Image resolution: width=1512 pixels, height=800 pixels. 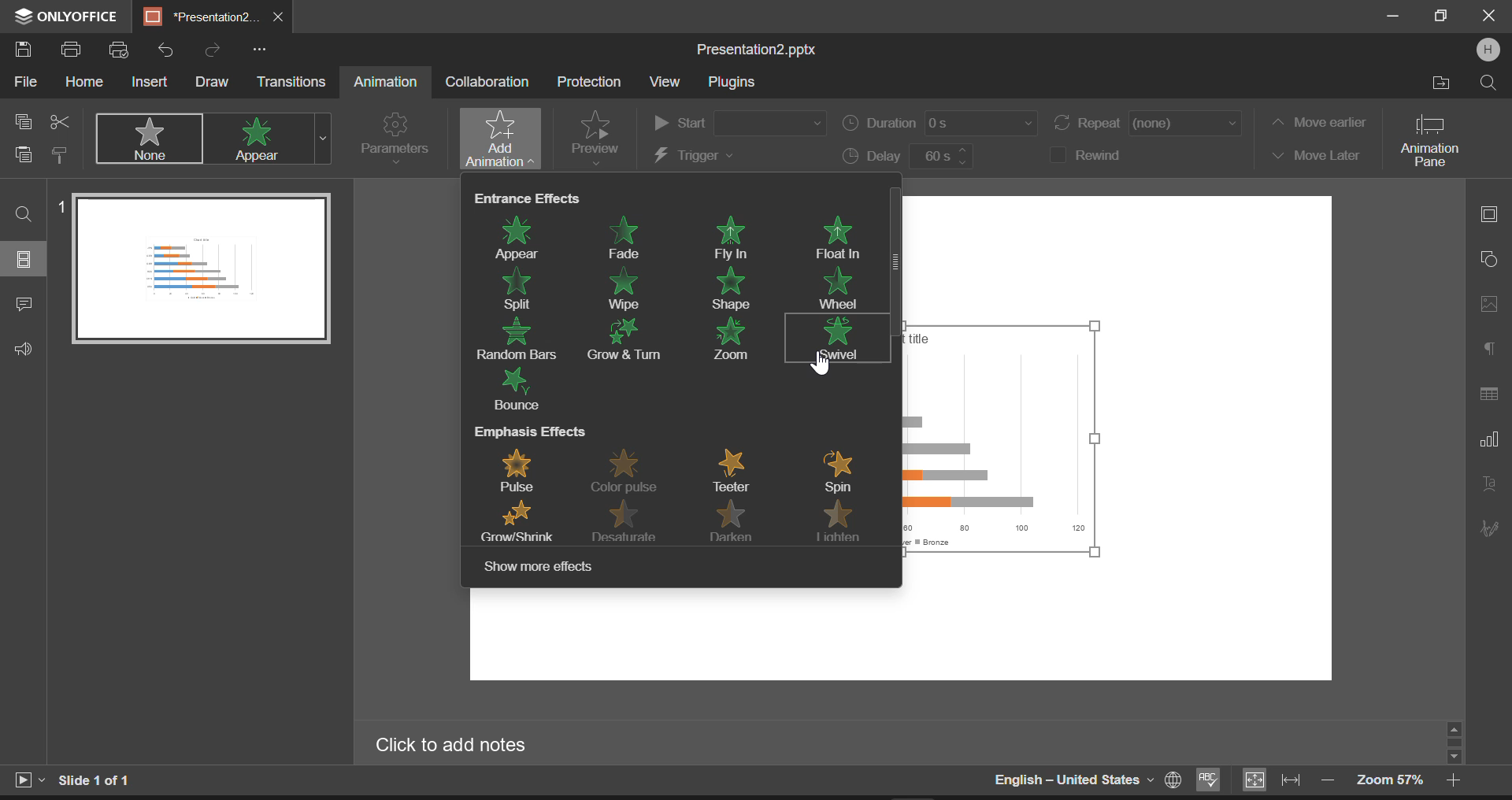 I want to click on Fit to slide, so click(x=1253, y=780).